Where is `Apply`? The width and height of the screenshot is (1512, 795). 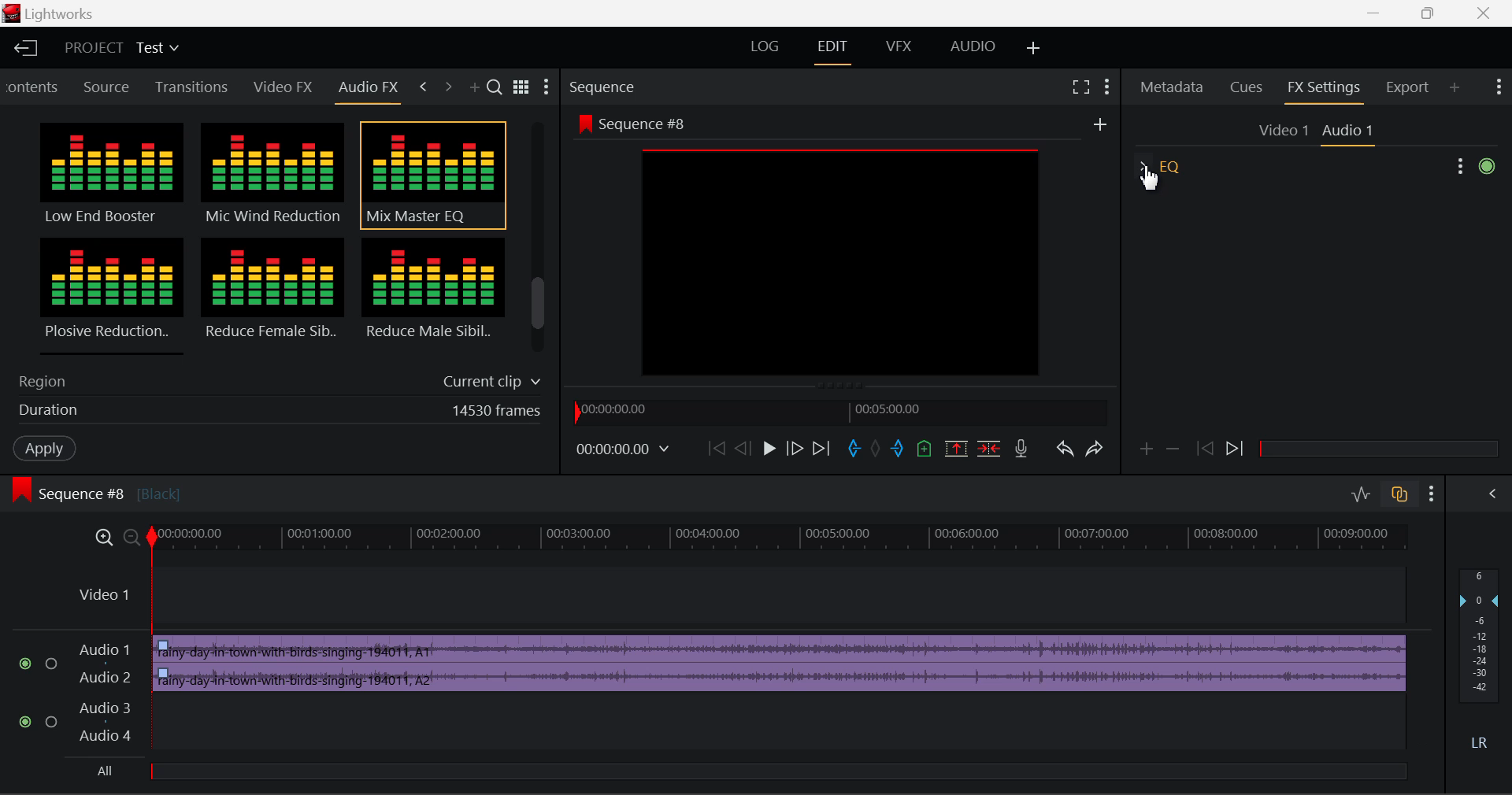 Apply is located at coordinates (44, 449).